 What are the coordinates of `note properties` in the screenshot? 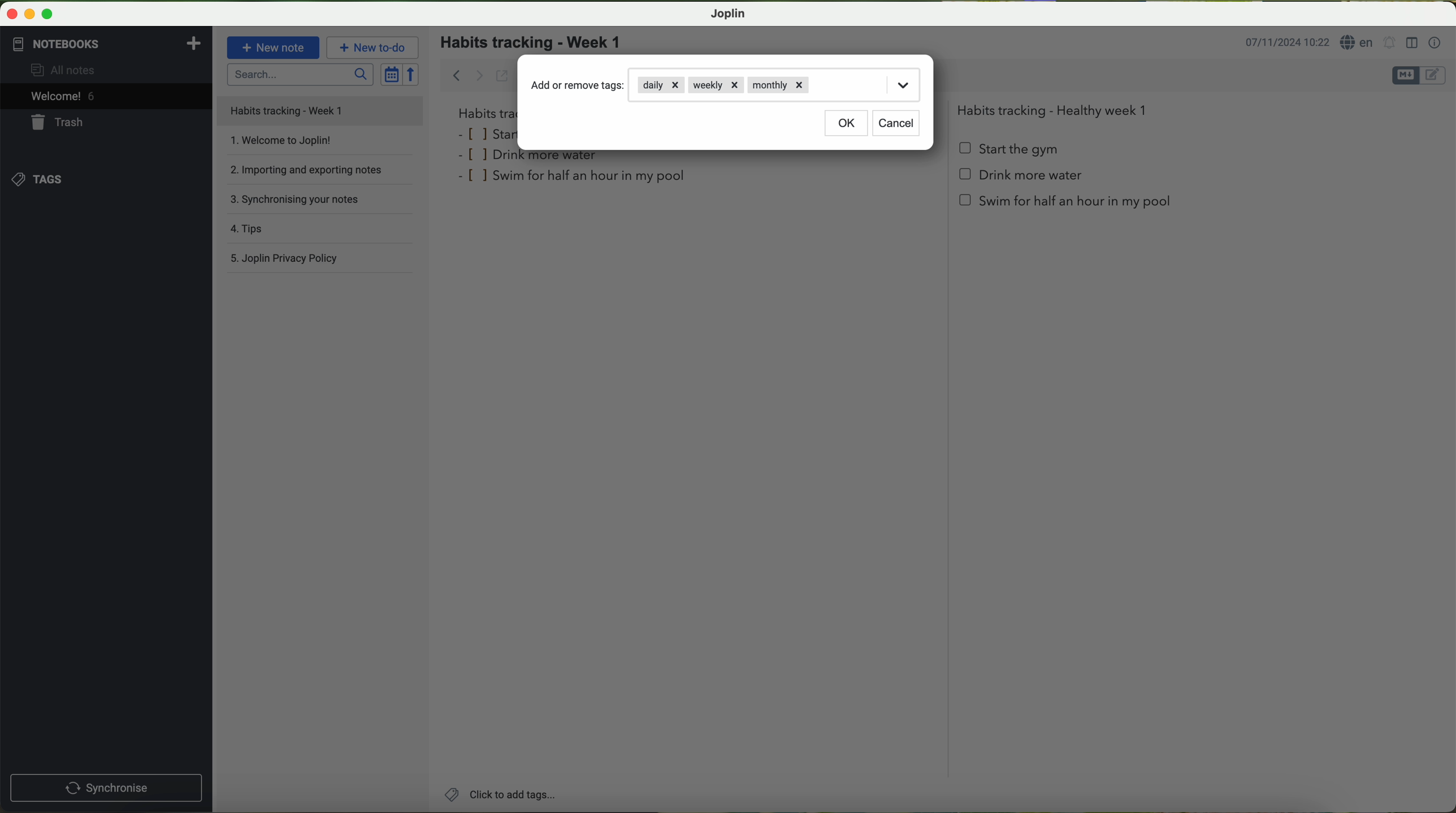 It's located at (1436, 44).